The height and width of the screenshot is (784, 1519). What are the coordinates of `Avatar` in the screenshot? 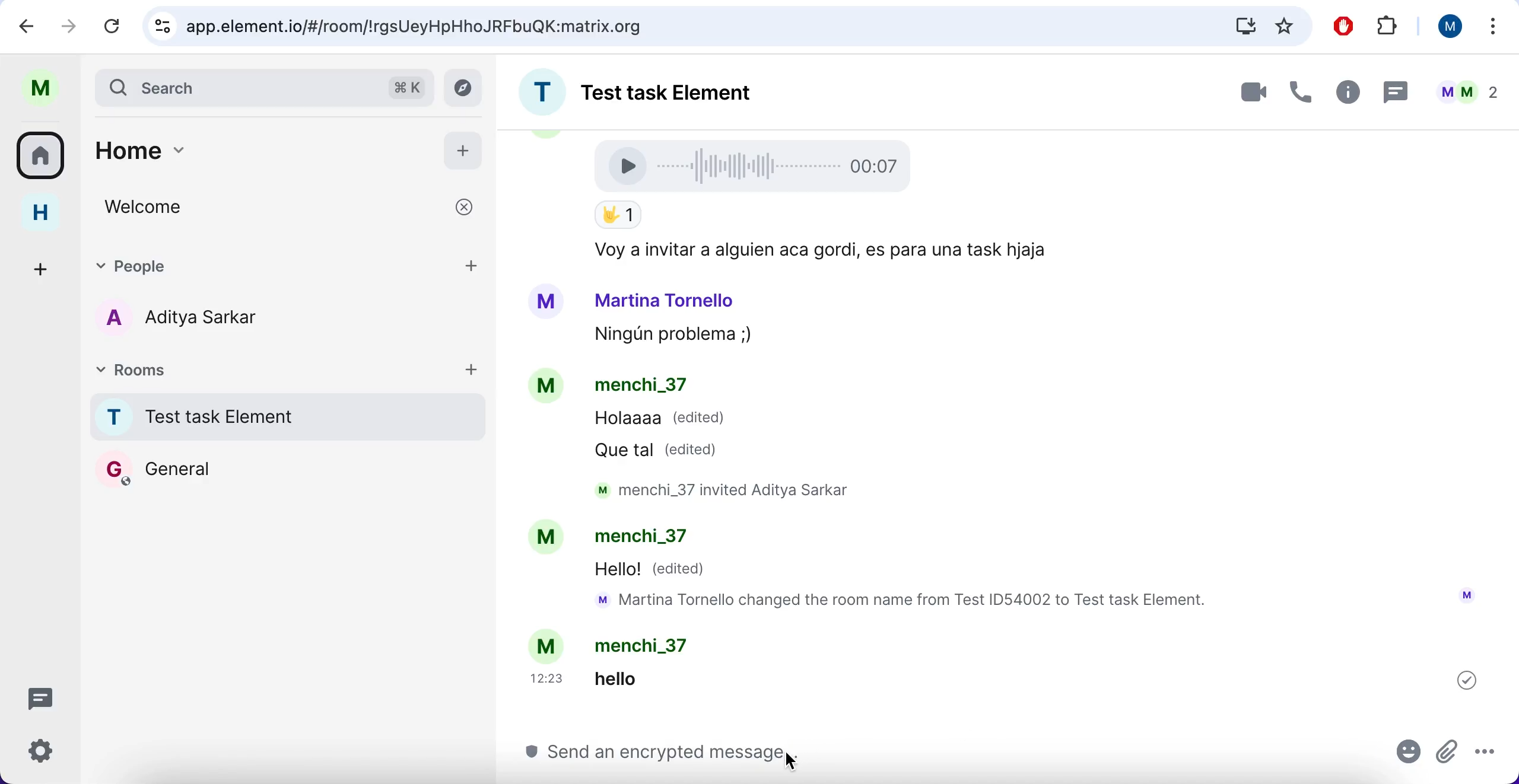 It's located at (548, 645).